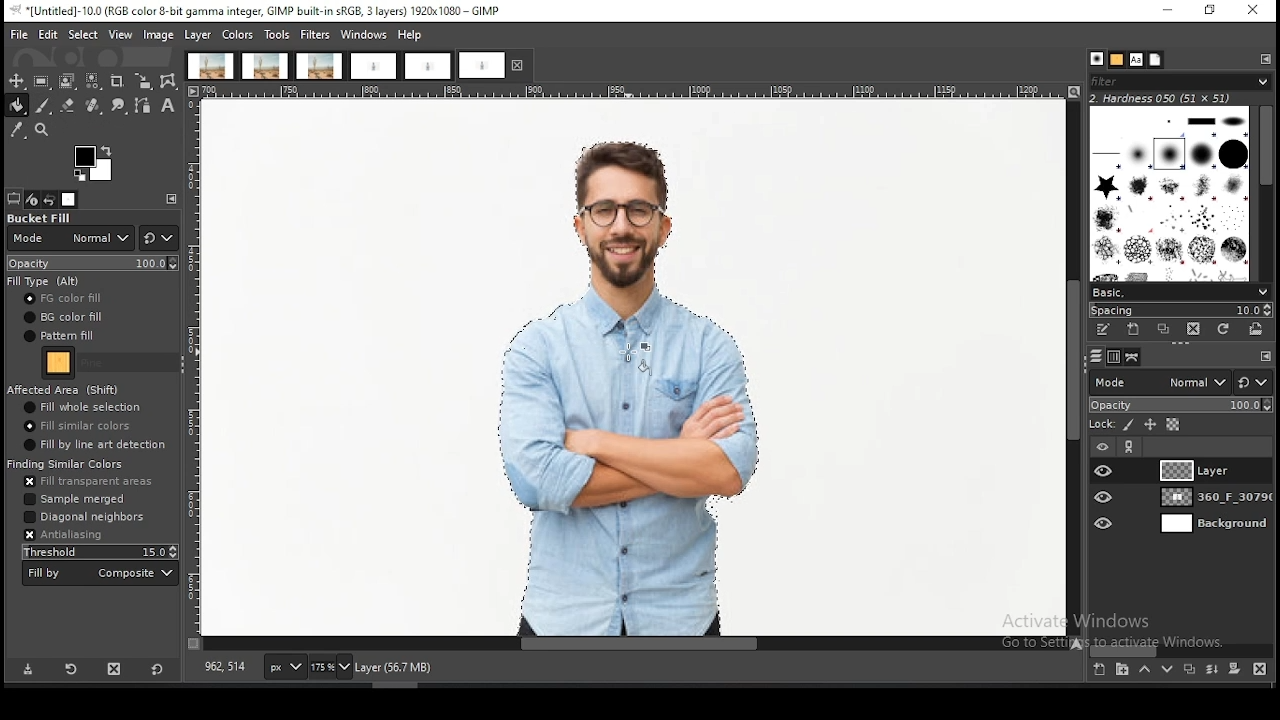  I want to click on layer visibility on/off, so click(1105, 496).